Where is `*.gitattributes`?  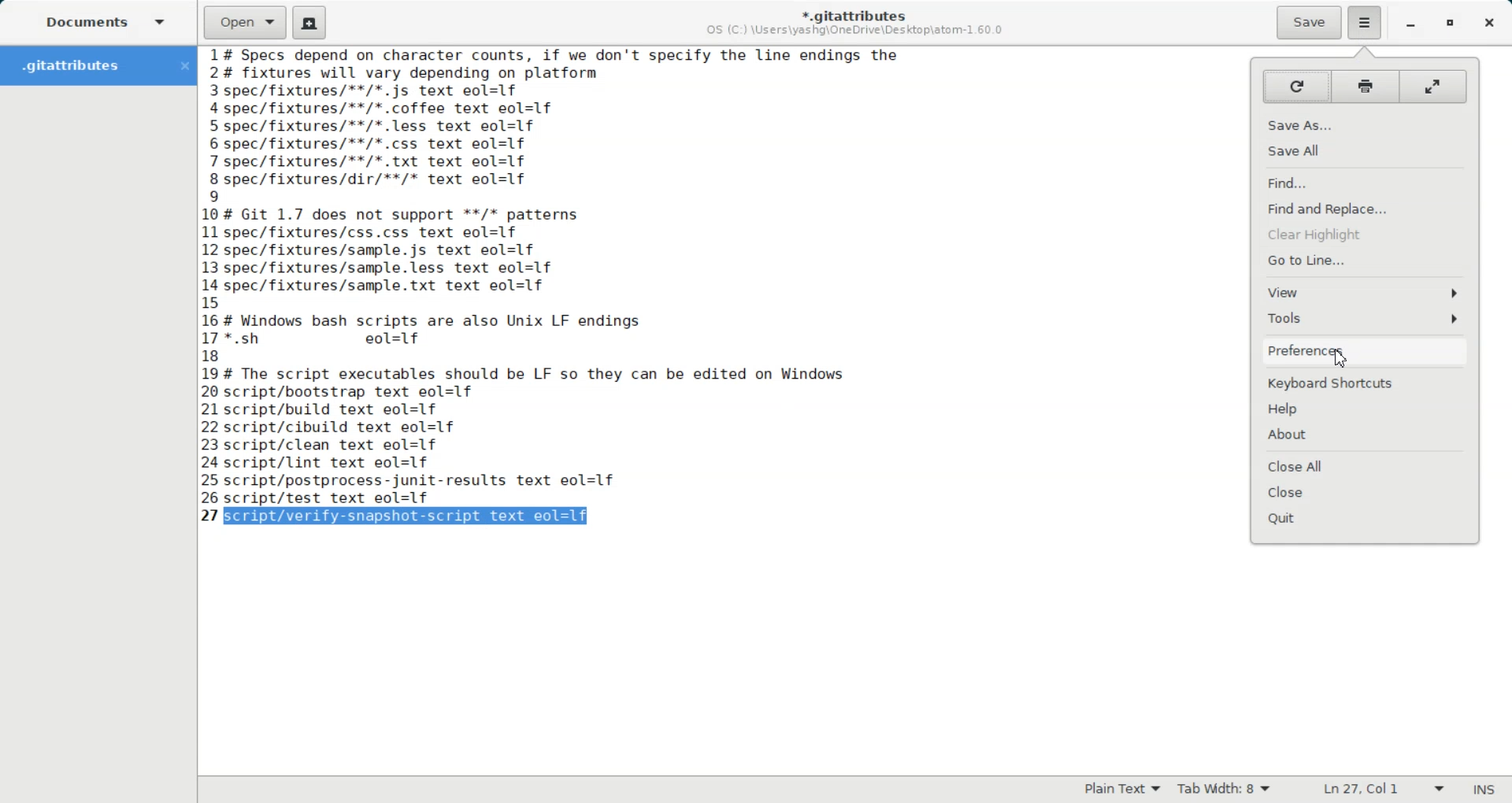
*.gitattributes is located at coordinates (850, 12).